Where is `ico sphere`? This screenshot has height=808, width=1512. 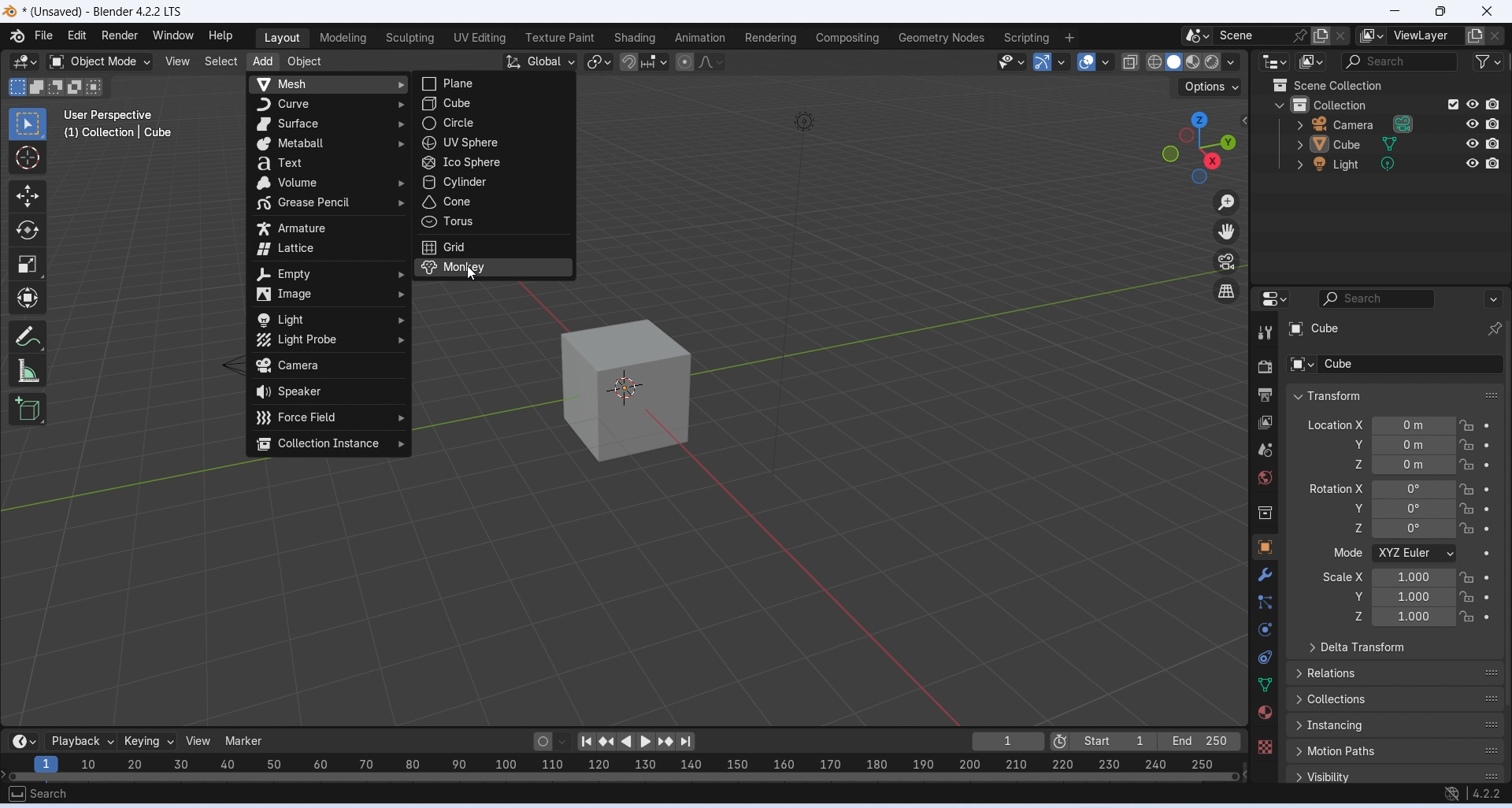 ico sphere is located at coordinates (492, 163).